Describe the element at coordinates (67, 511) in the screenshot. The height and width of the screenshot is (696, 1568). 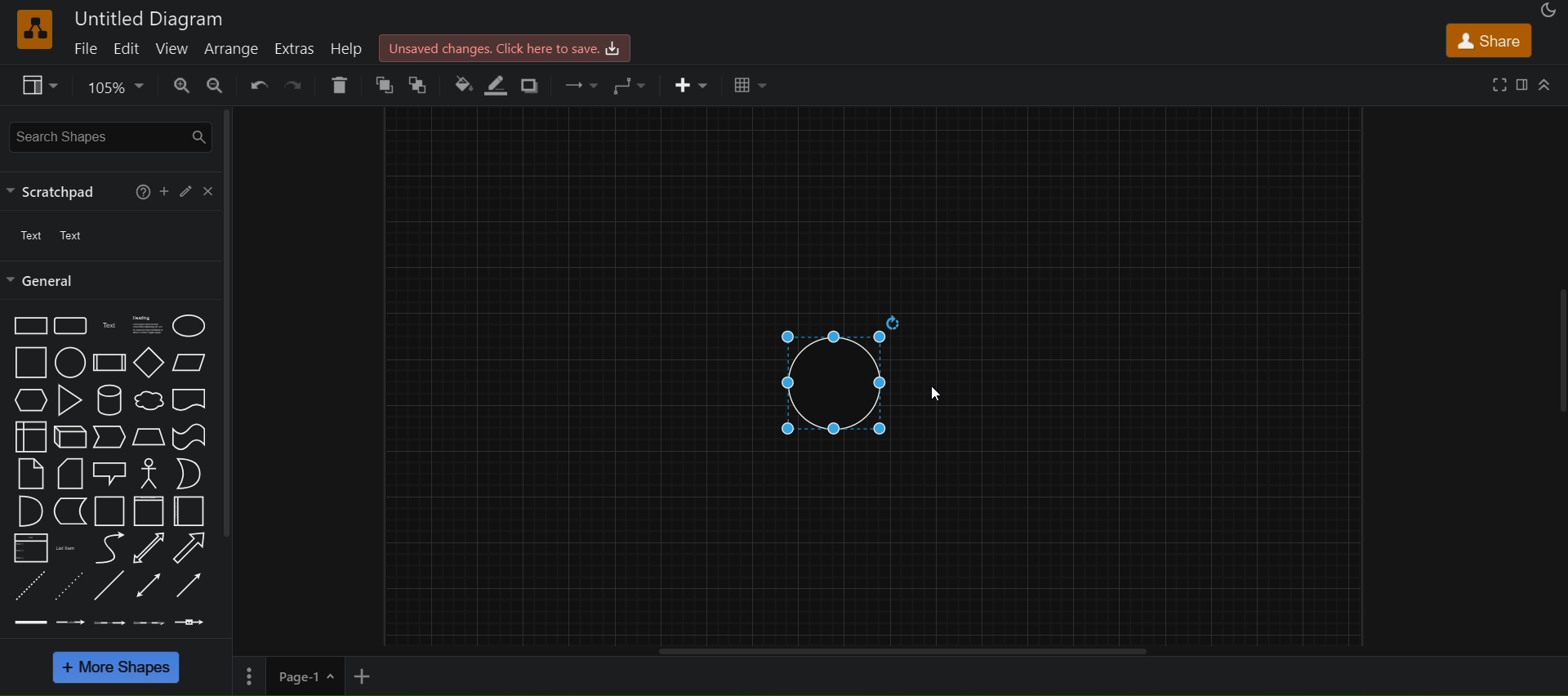
I see `data storage` at that location.